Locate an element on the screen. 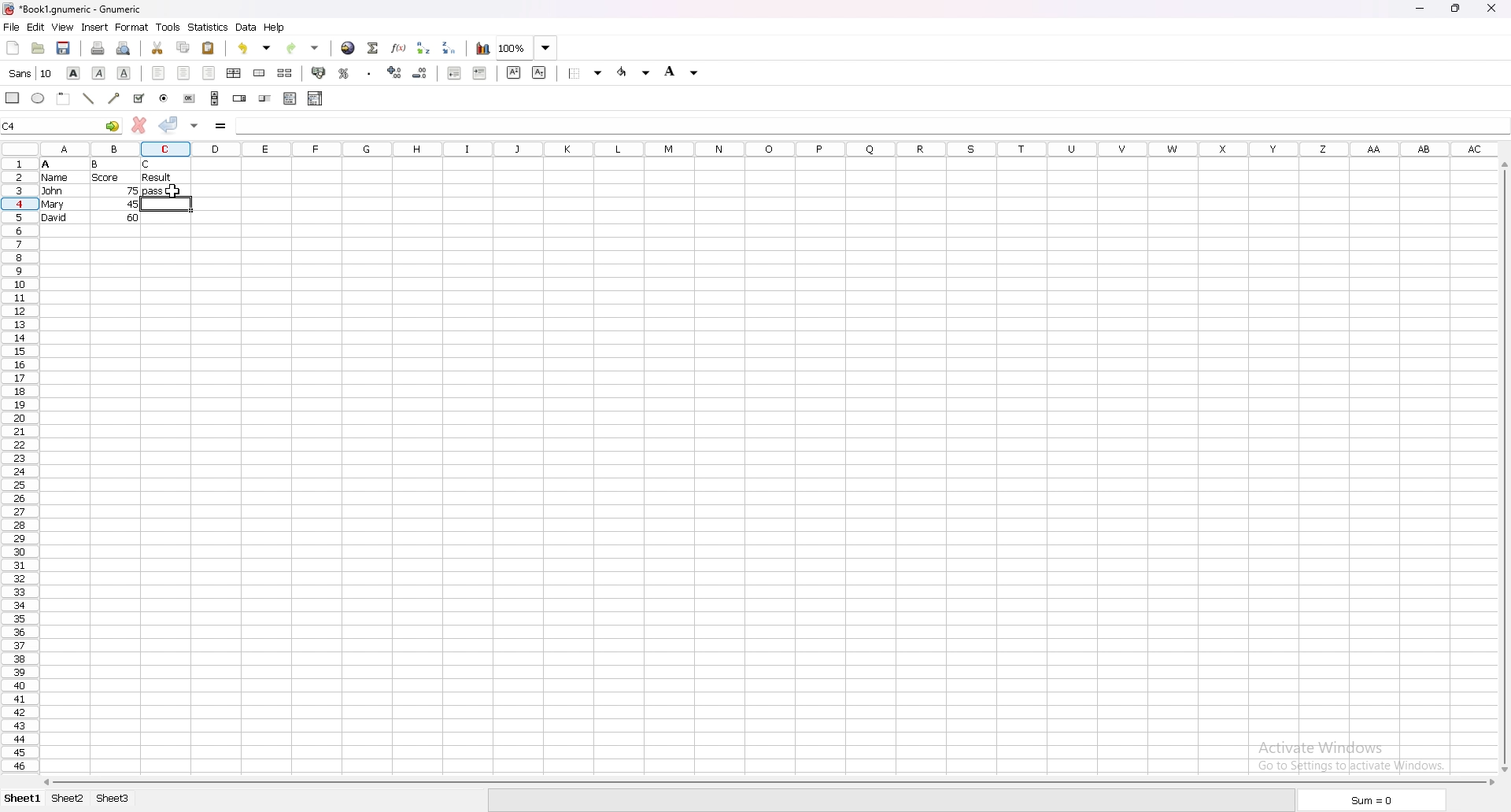 Image resolution: width=1511 pixels, height=812 pixels. save is located at coordinates (64, 48).